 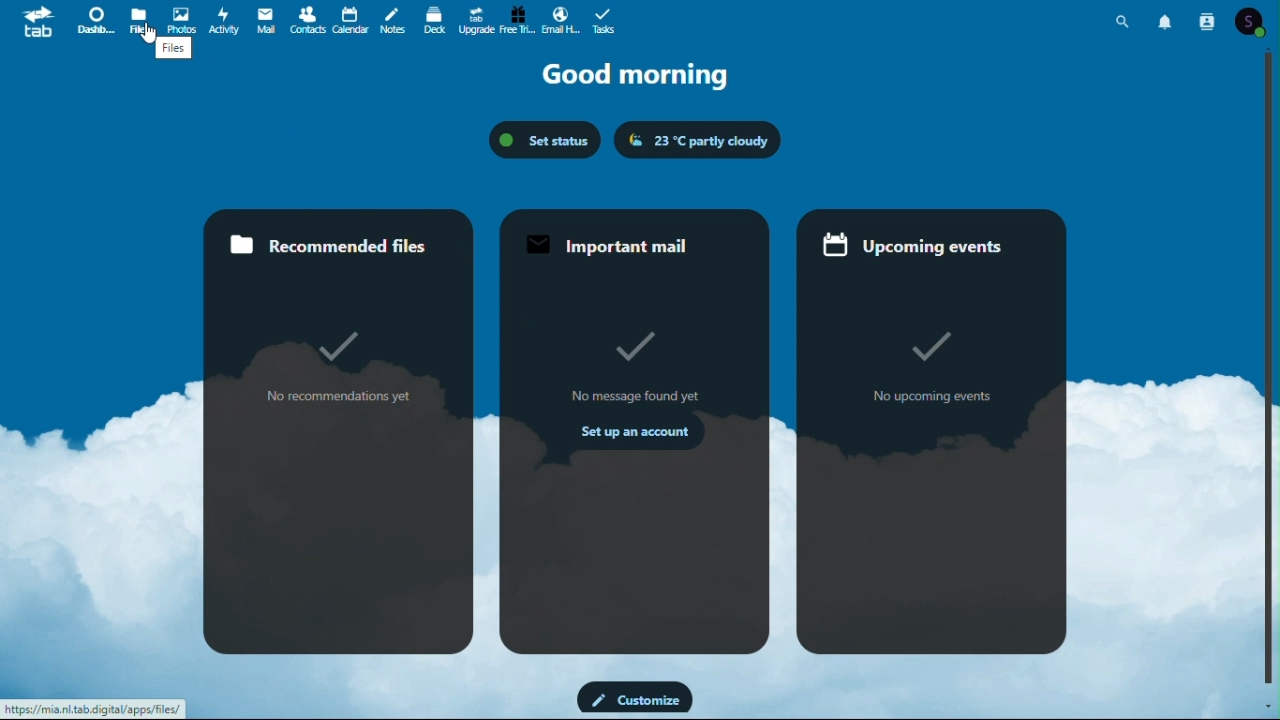 What do you see at coordinates (516, 18) in the screenshot?
I see `Free trial` at bounding box center [516, 18].